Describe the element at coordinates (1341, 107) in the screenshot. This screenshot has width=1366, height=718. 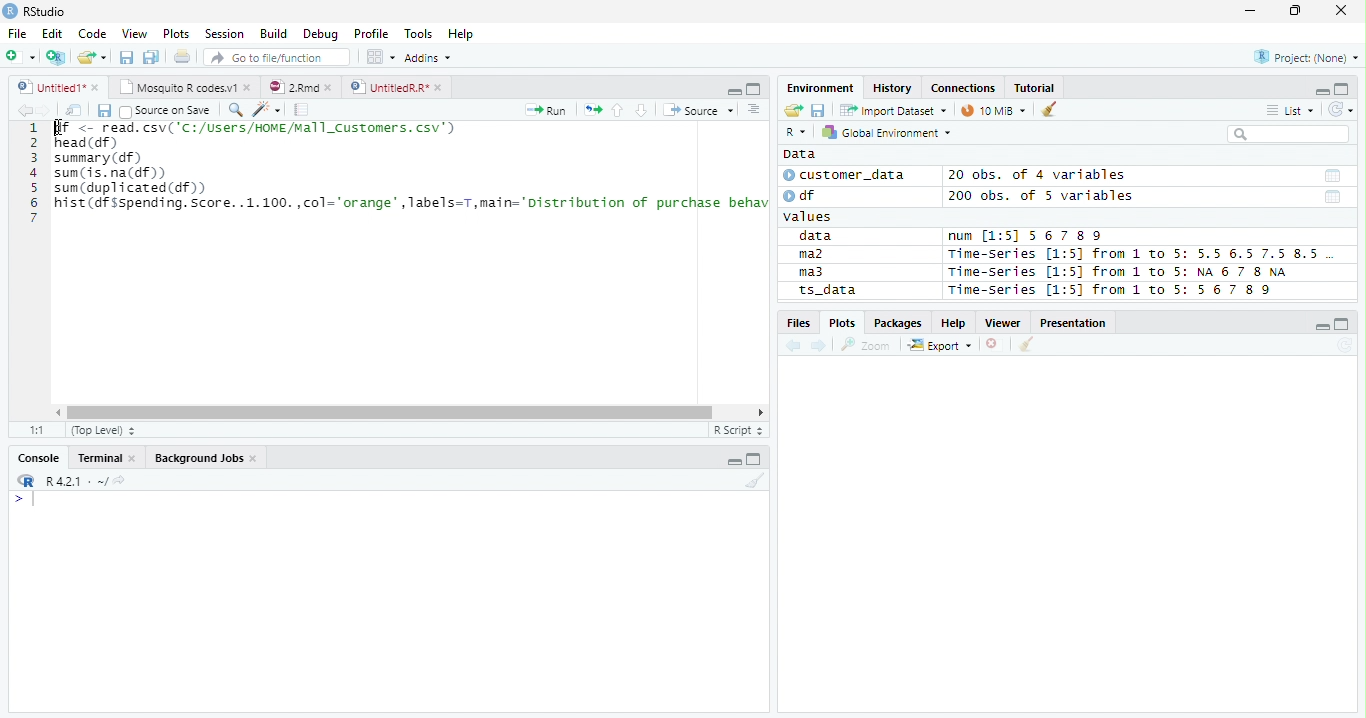
I see `Refresh` at that location.